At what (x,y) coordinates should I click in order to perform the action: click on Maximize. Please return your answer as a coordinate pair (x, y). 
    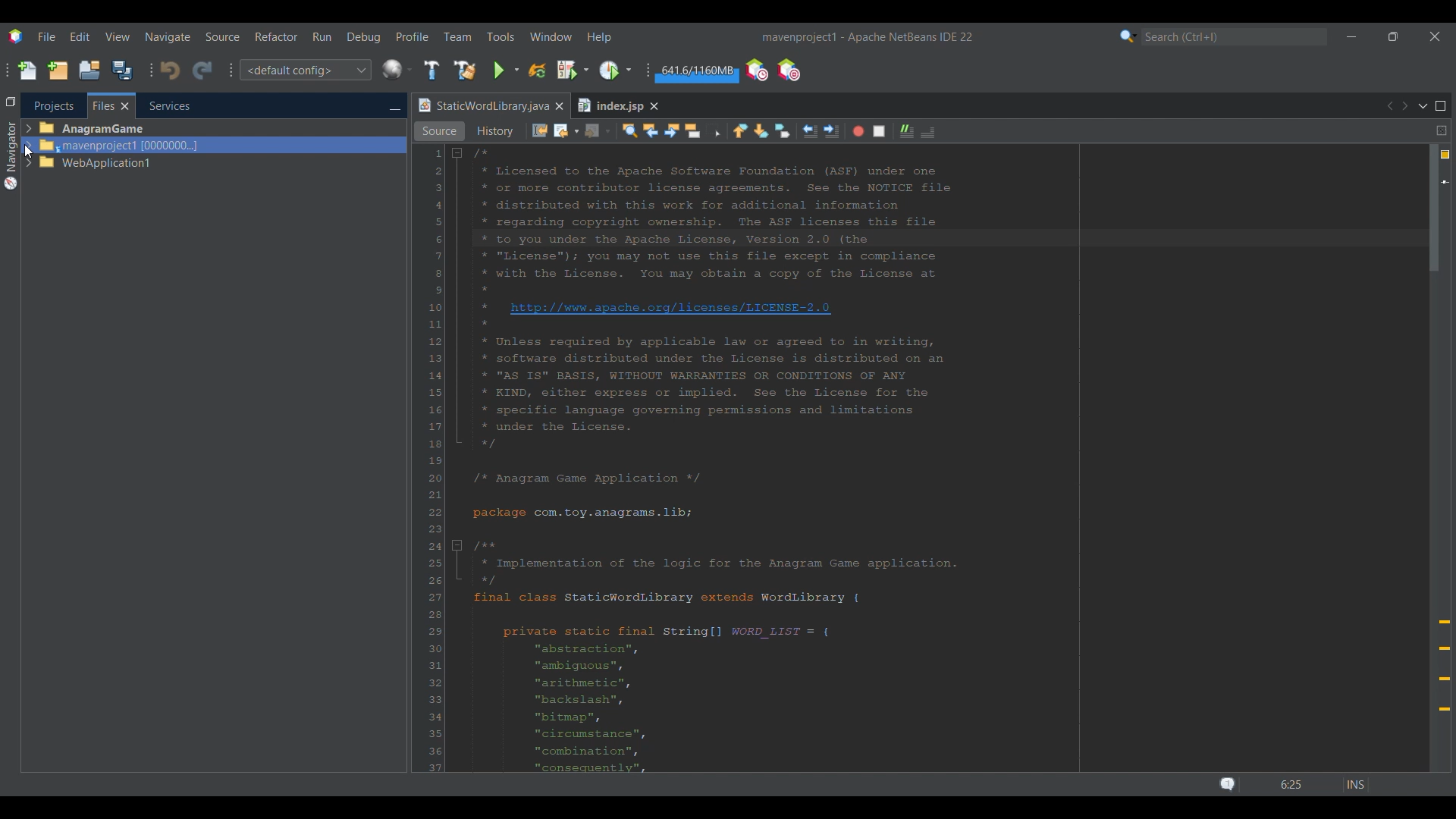
    Looking at the image, I should click on (1441, 106).